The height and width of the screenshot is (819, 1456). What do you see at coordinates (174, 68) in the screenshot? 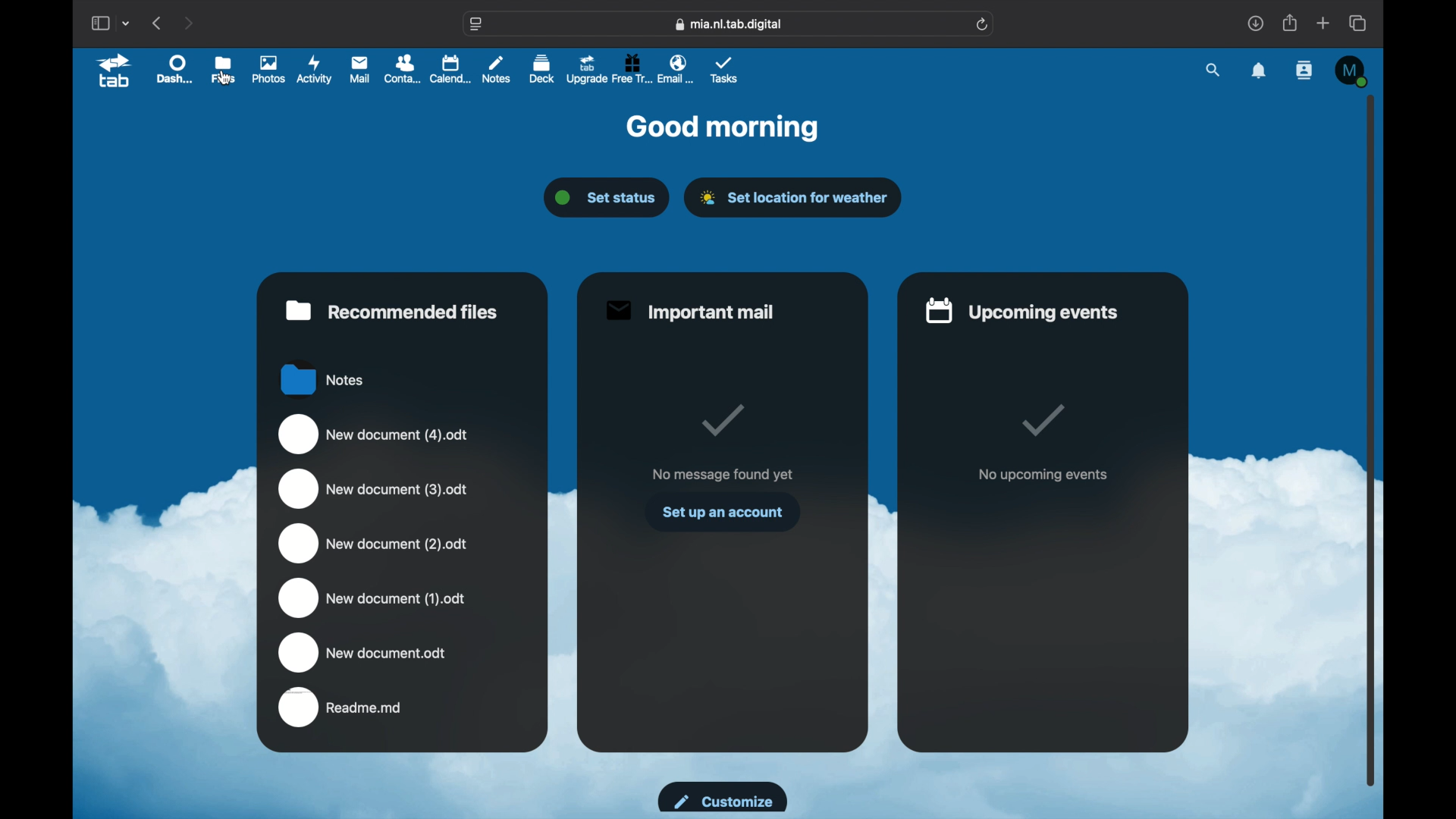
I see `dashboard` at bounding box center [174, 68].